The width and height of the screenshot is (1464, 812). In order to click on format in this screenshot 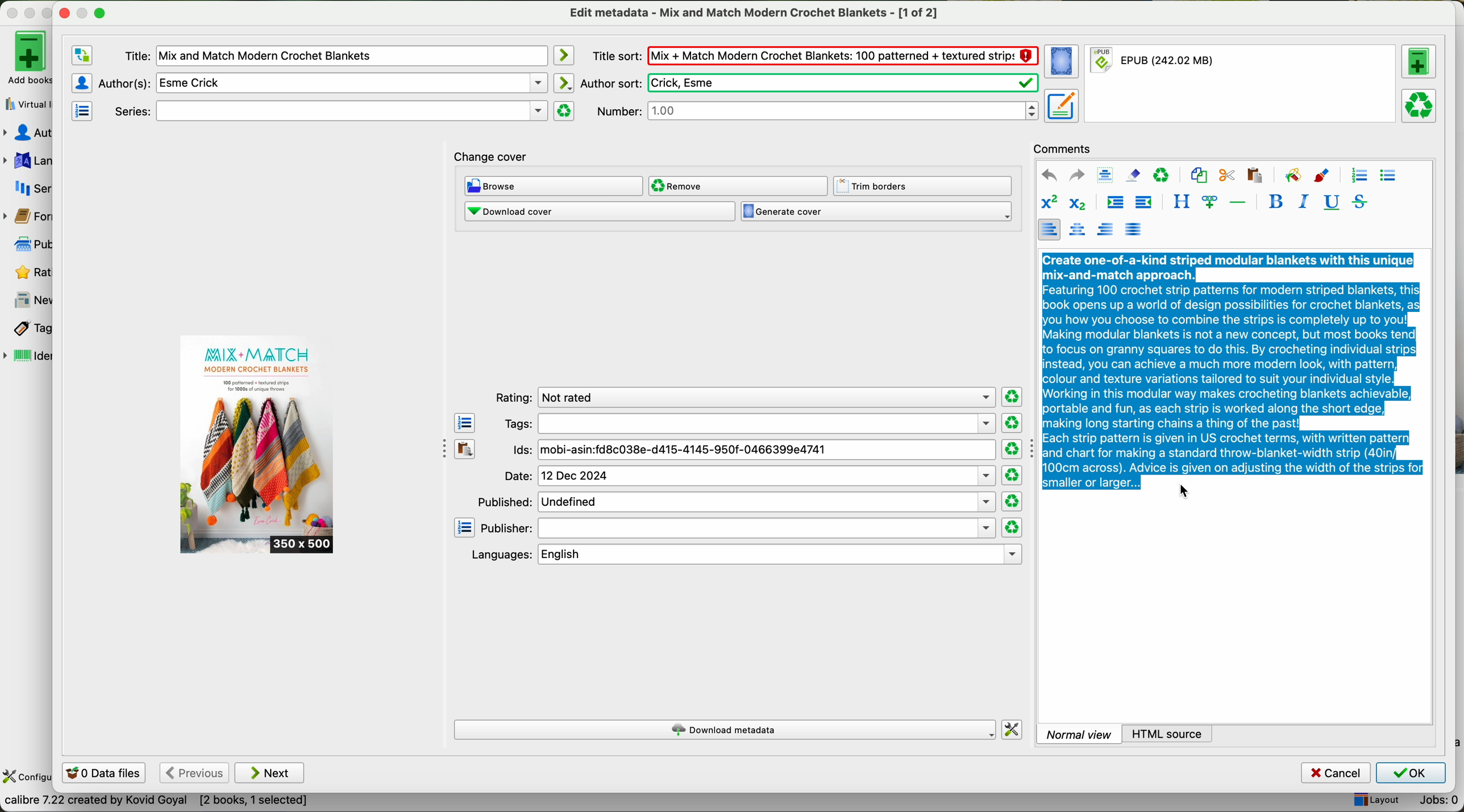, I will do `click(1242, 84)`.